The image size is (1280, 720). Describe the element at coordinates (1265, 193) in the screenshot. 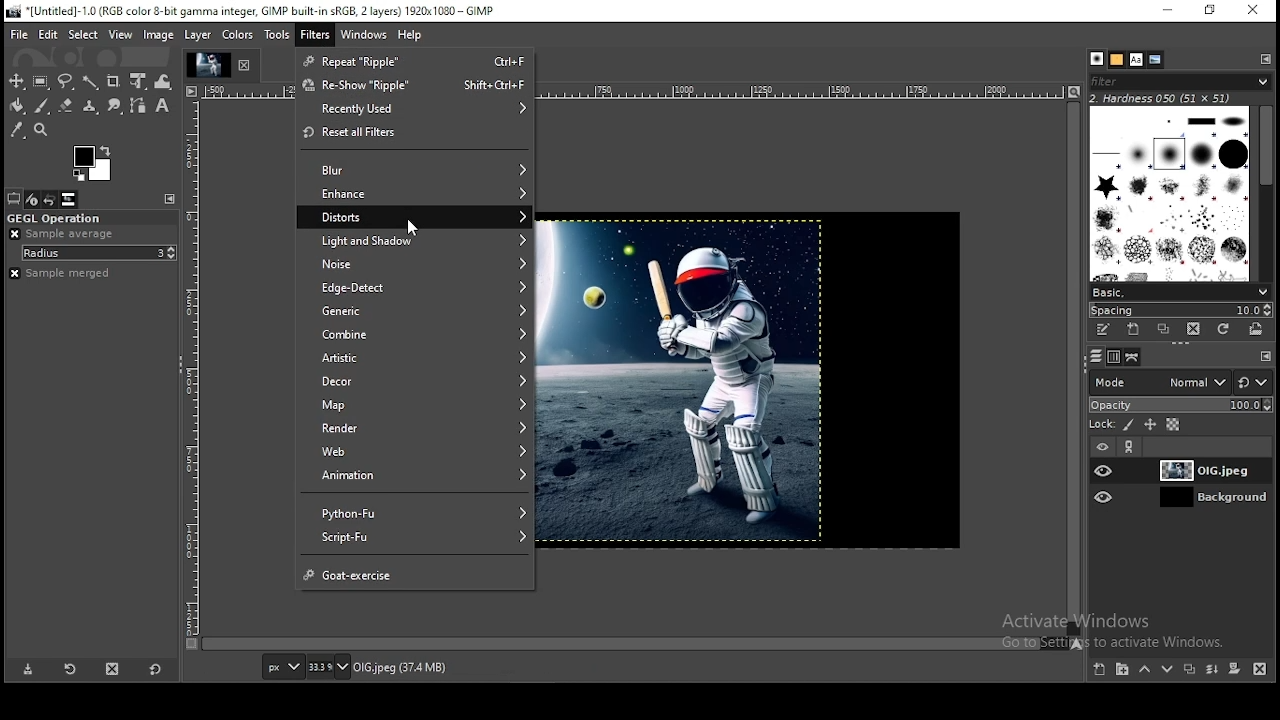

I see `scroll bar` at that location.